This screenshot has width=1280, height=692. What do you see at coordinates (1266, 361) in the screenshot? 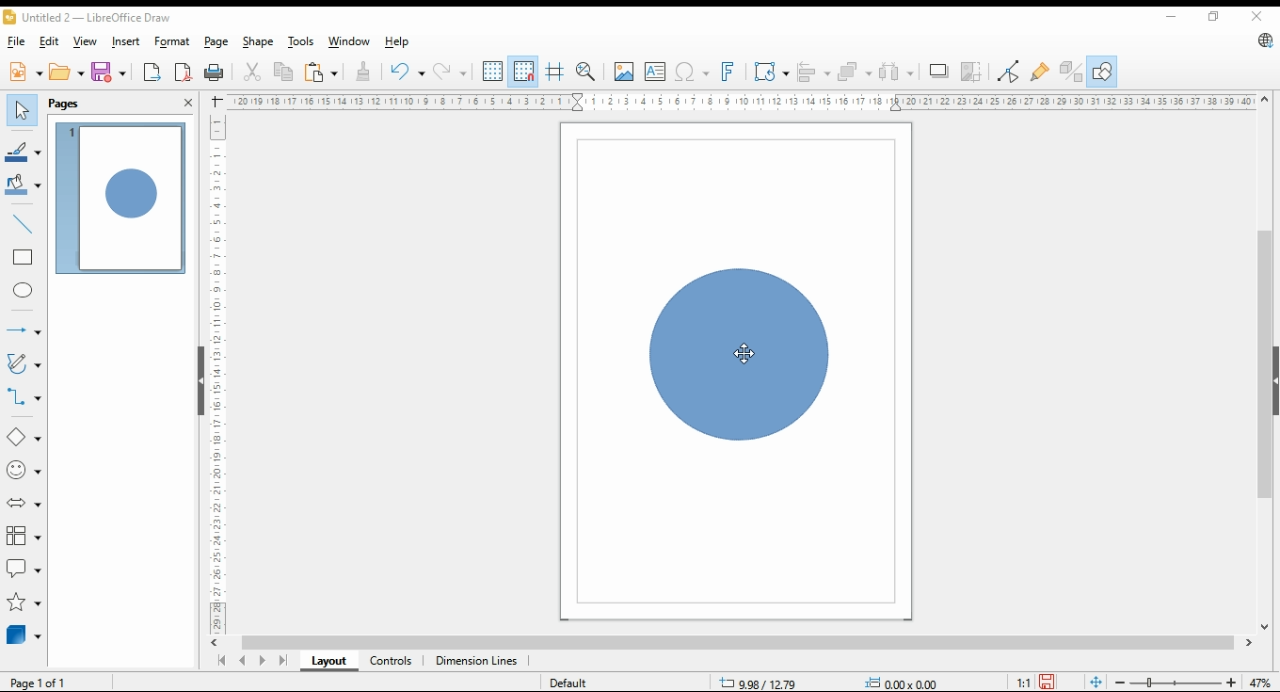
I see `scroll bar` at bounding box center [1266, 361].